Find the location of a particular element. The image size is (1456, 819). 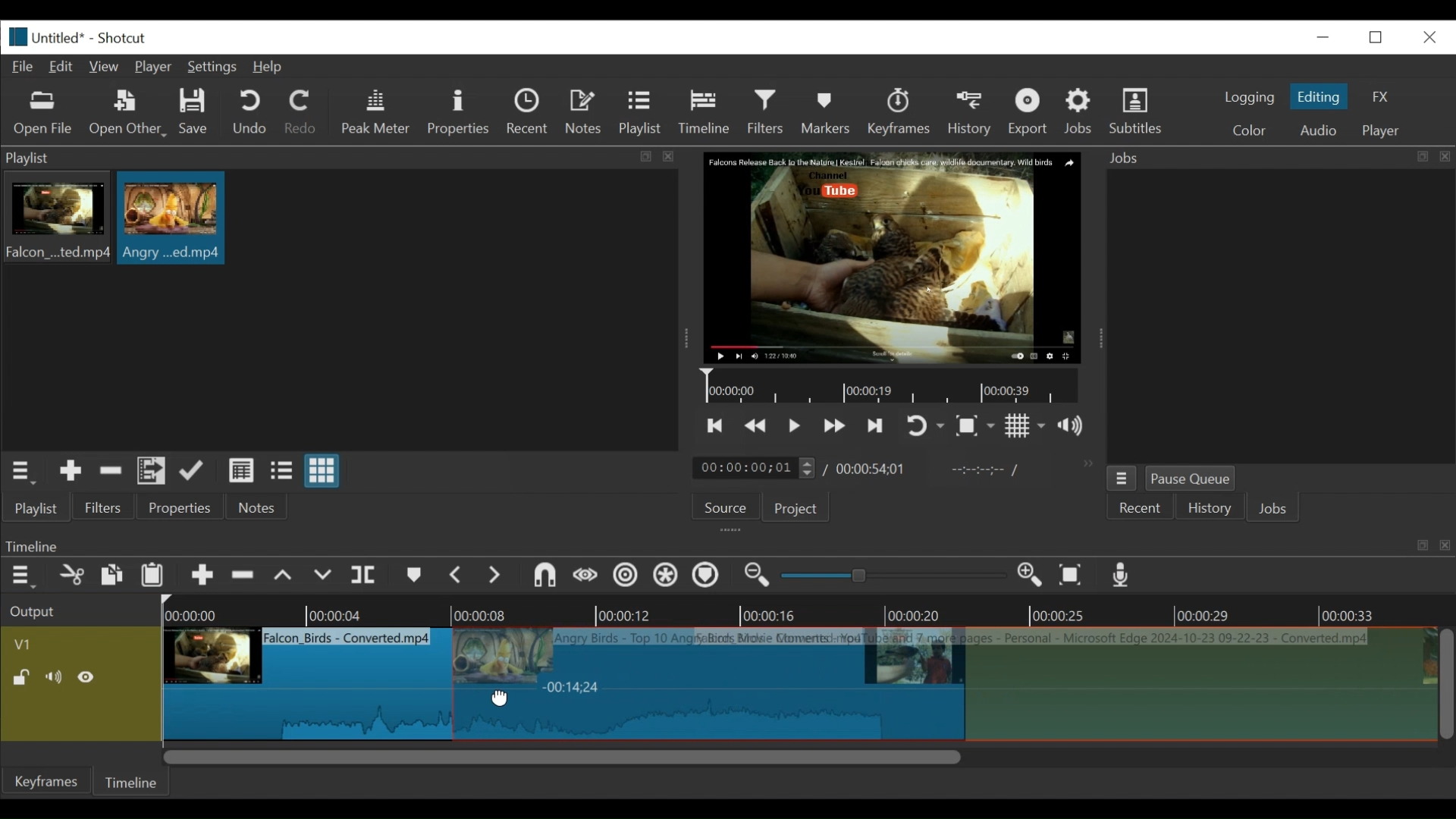

jobs panel is located at coordinates (1280, 315).